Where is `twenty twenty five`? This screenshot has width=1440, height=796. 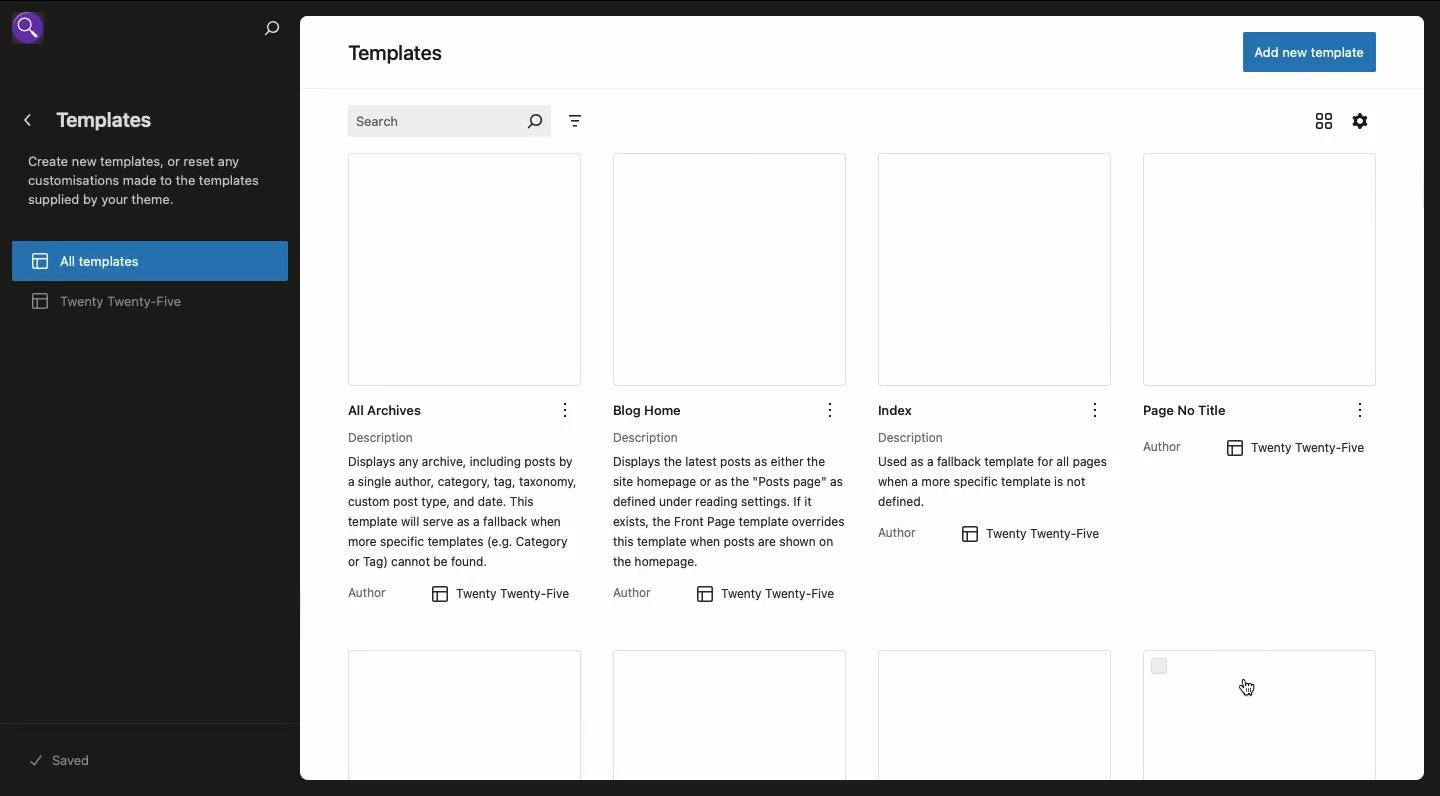
twenty twenty five is located at coordinates (760, 595).